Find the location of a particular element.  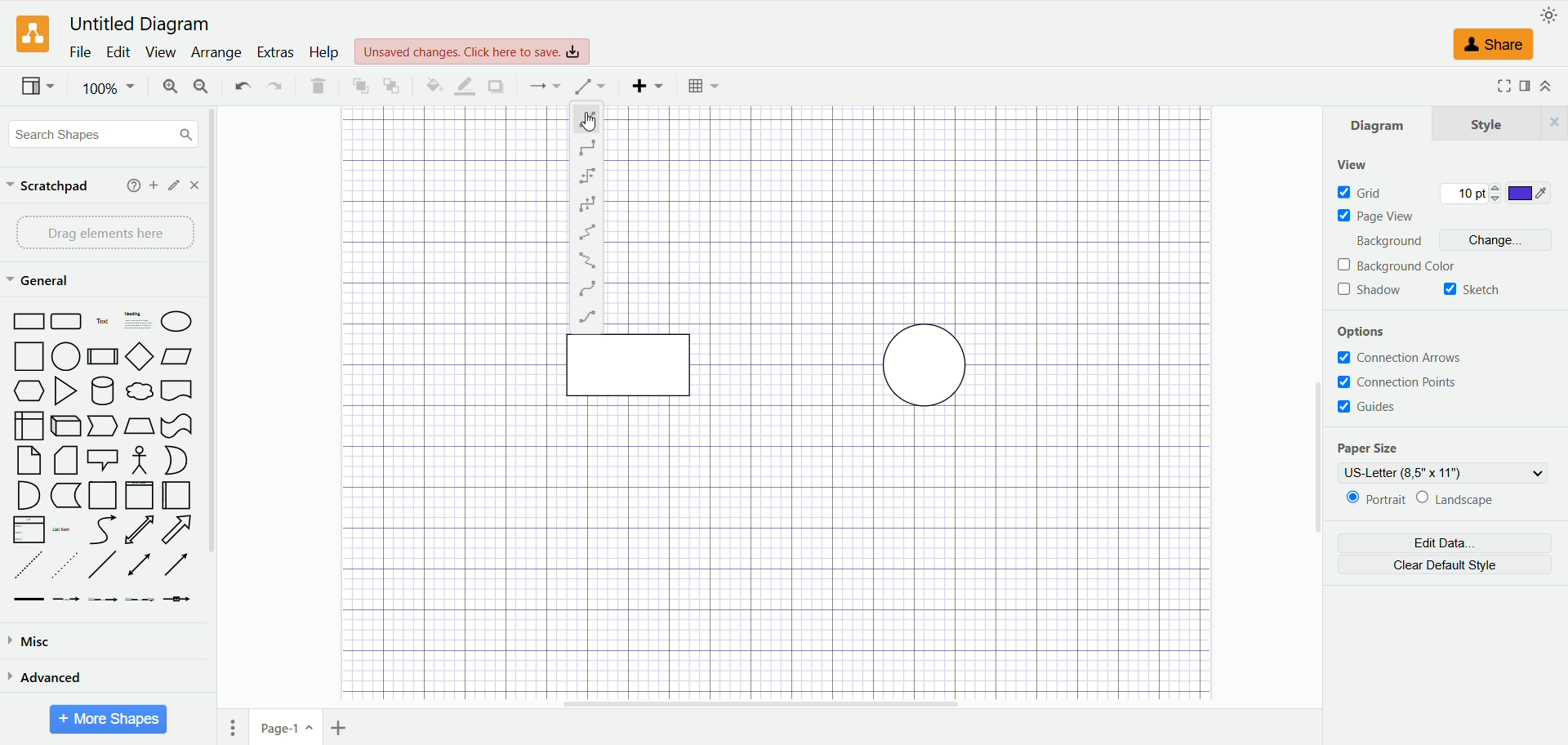

Simple Waypoint is located at coordinates (588, 206).